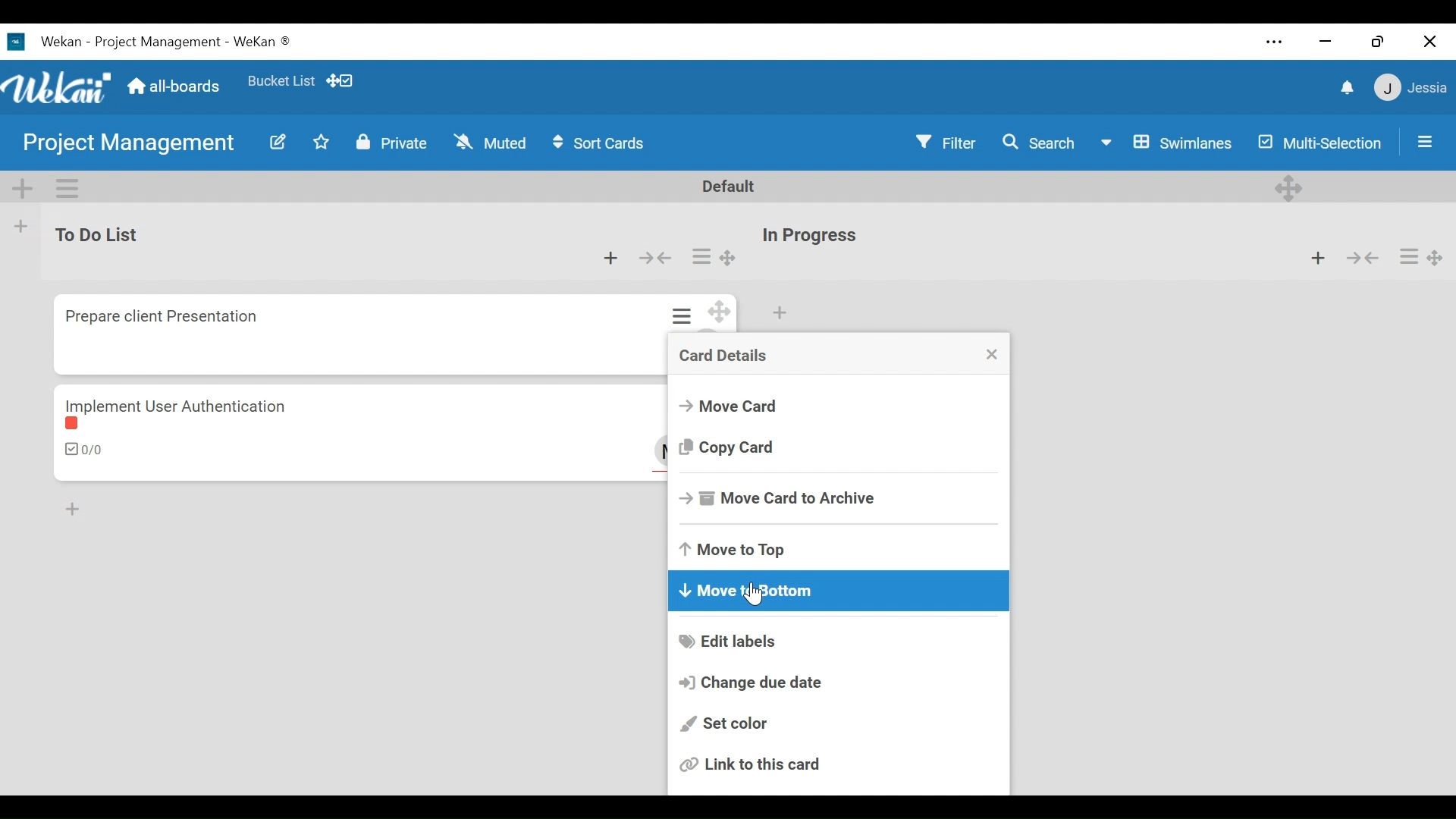 The image size is (1456, 819). I want to click on Move Card, so click(727, 406).